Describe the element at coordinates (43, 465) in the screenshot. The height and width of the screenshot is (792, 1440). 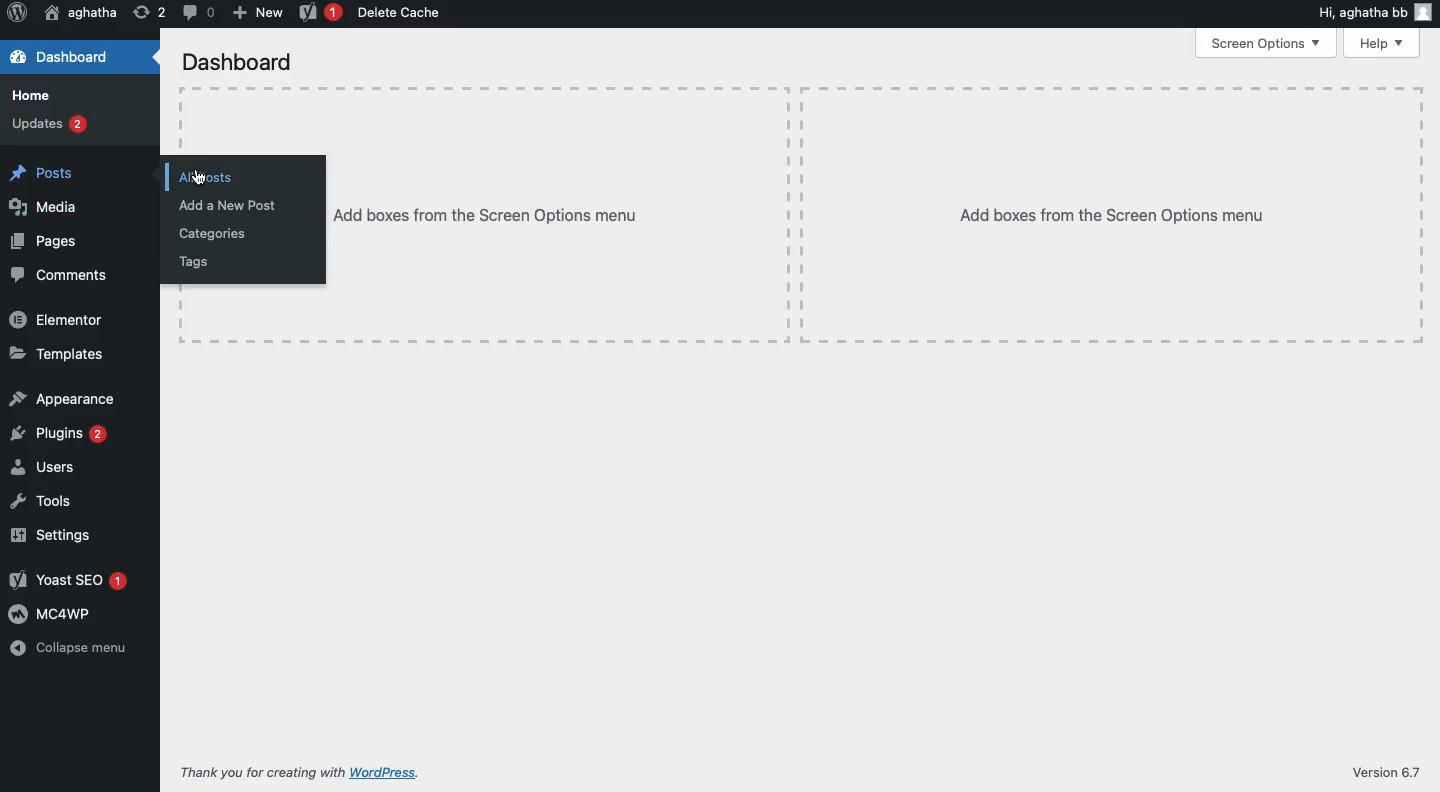
I see `Users` at that location.